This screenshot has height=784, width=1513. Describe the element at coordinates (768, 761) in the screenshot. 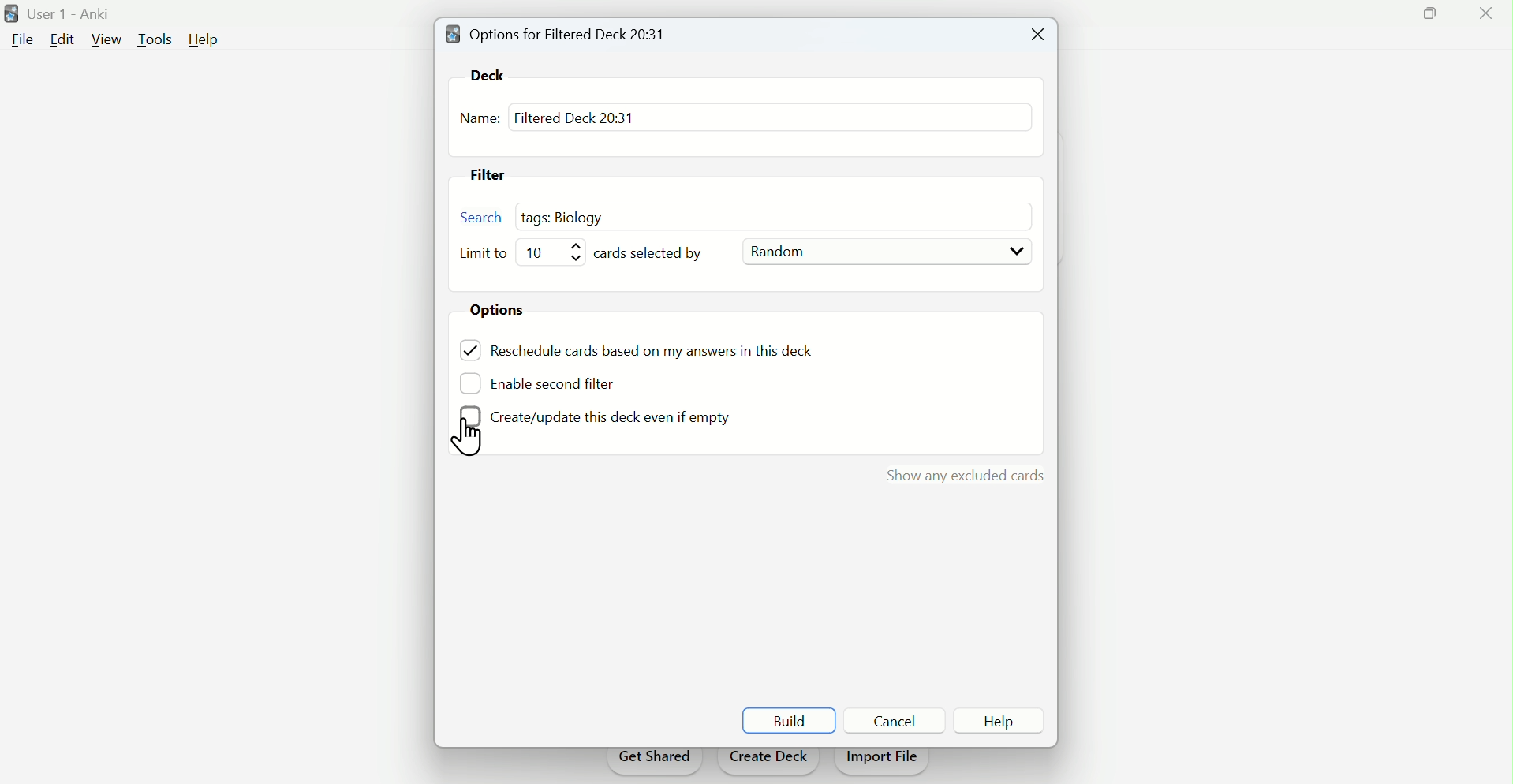

I see `Create deck` at that location.